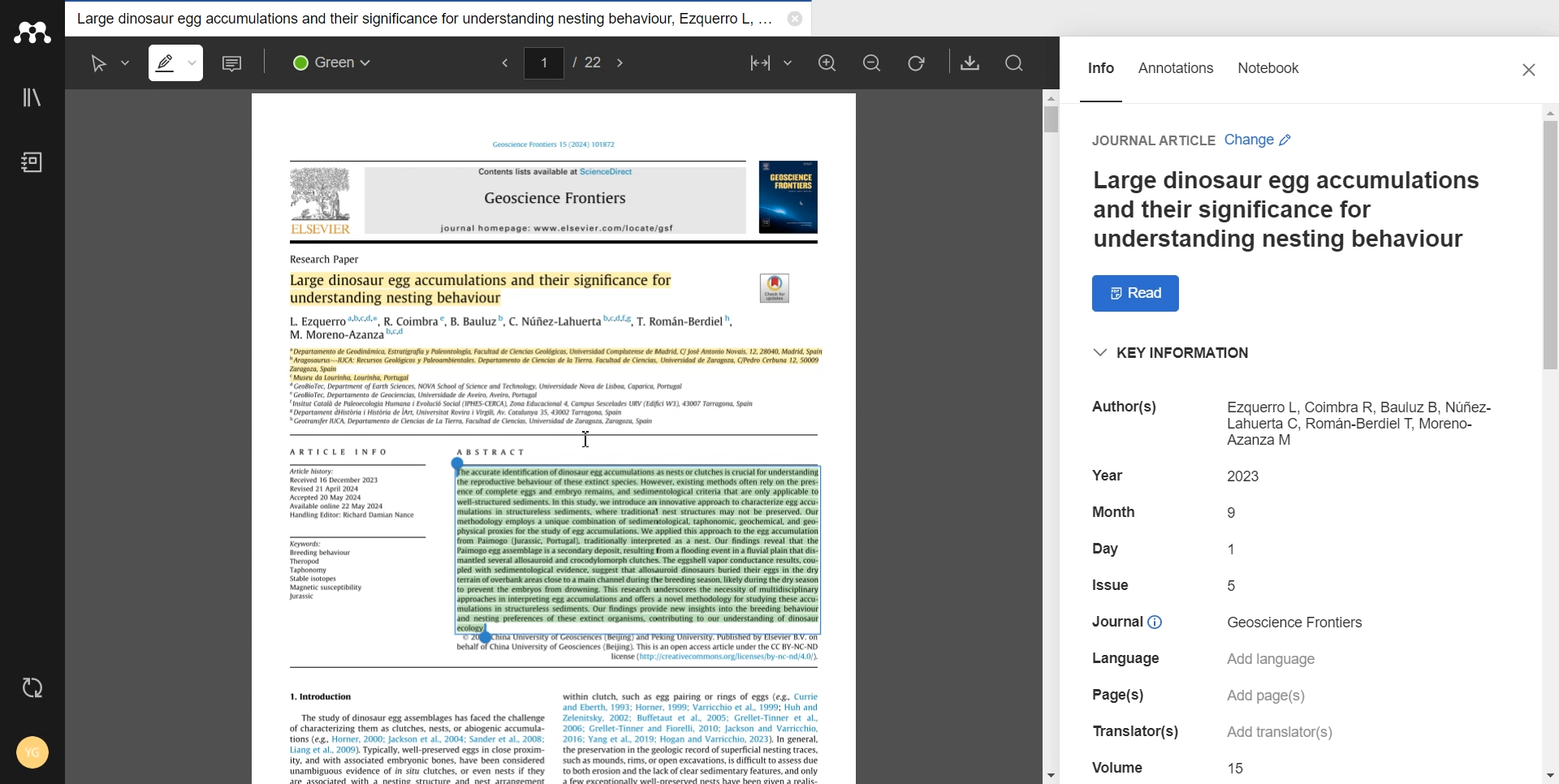 The height and width of the screenshot is (784, 1559). I want to click on text, so click(1267, 697).